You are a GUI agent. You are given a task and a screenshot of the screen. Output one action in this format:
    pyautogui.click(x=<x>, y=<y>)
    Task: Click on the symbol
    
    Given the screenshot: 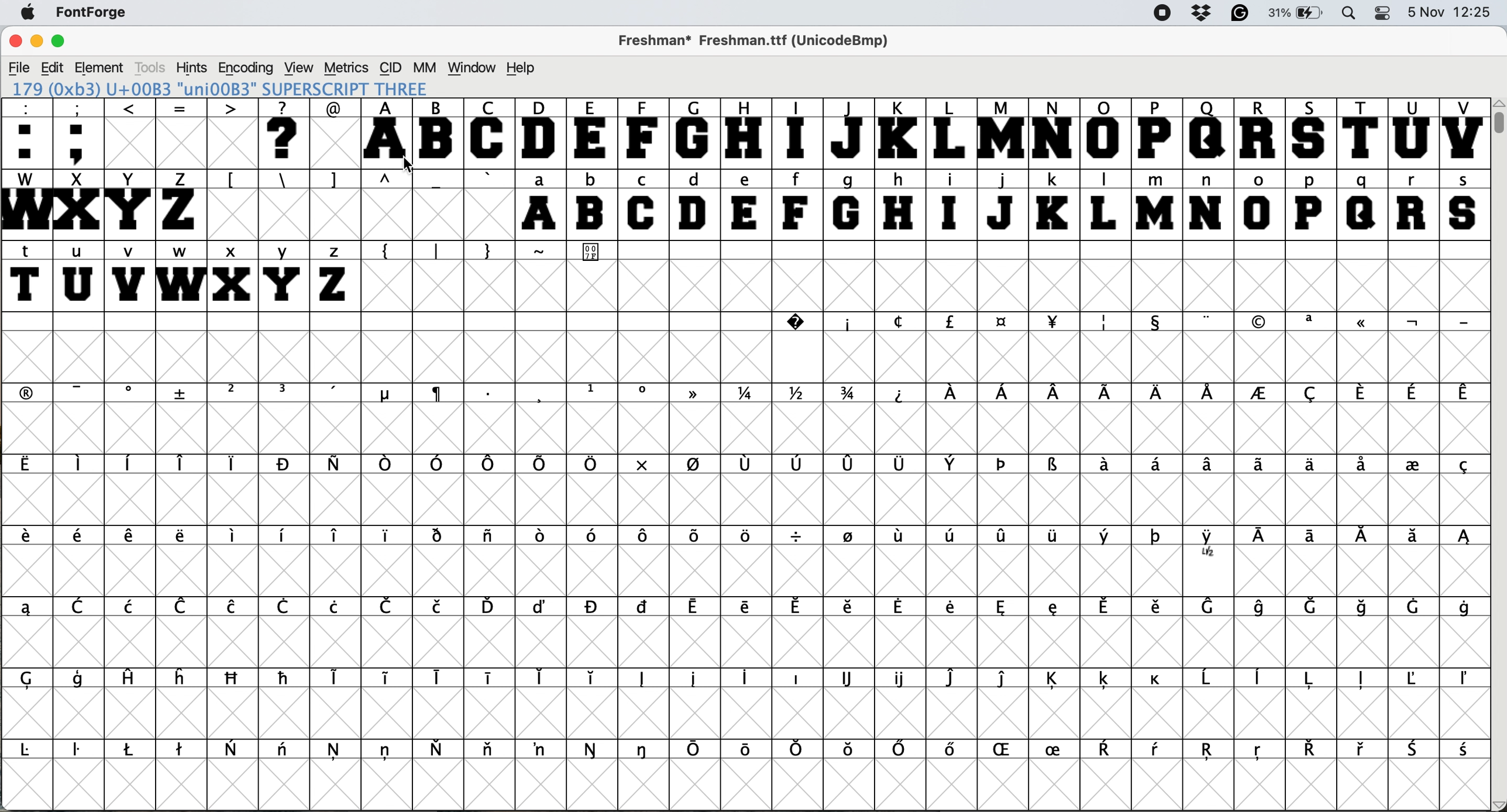 What is the action you would take?
    pyautogui.click(x=81, y=606)
    